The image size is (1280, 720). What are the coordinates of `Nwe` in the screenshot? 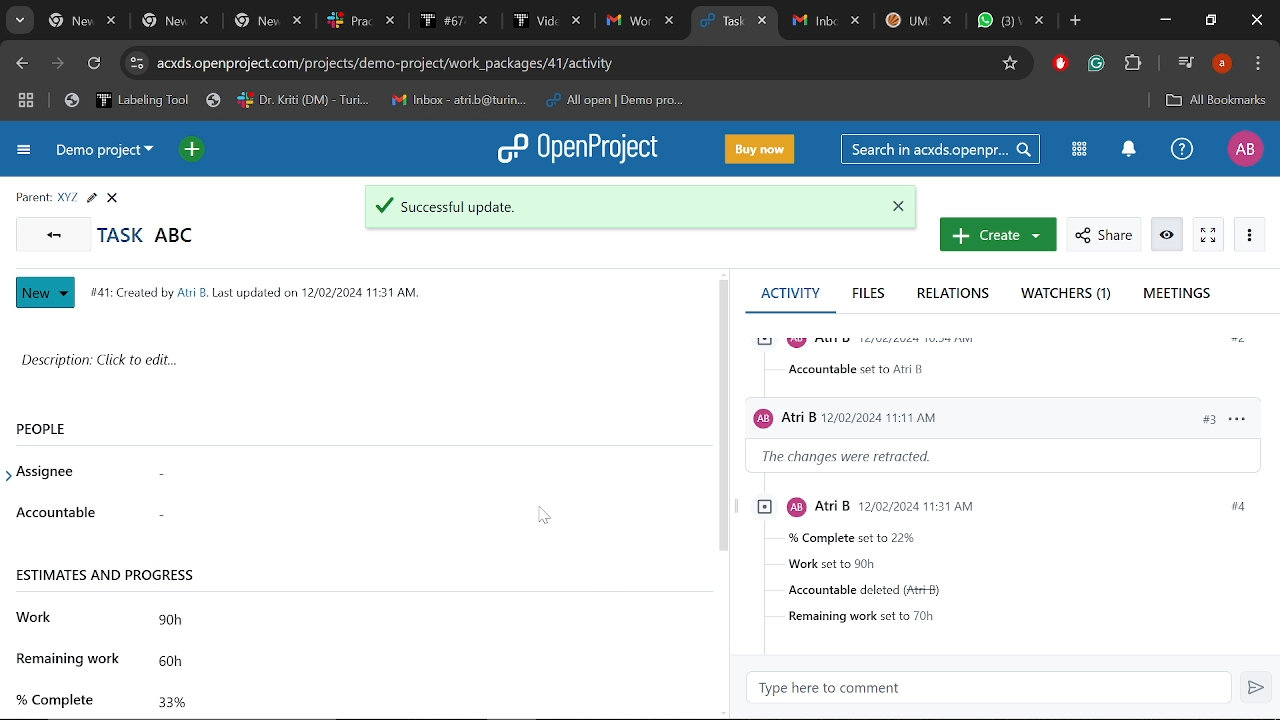 It's located at (46, 293).